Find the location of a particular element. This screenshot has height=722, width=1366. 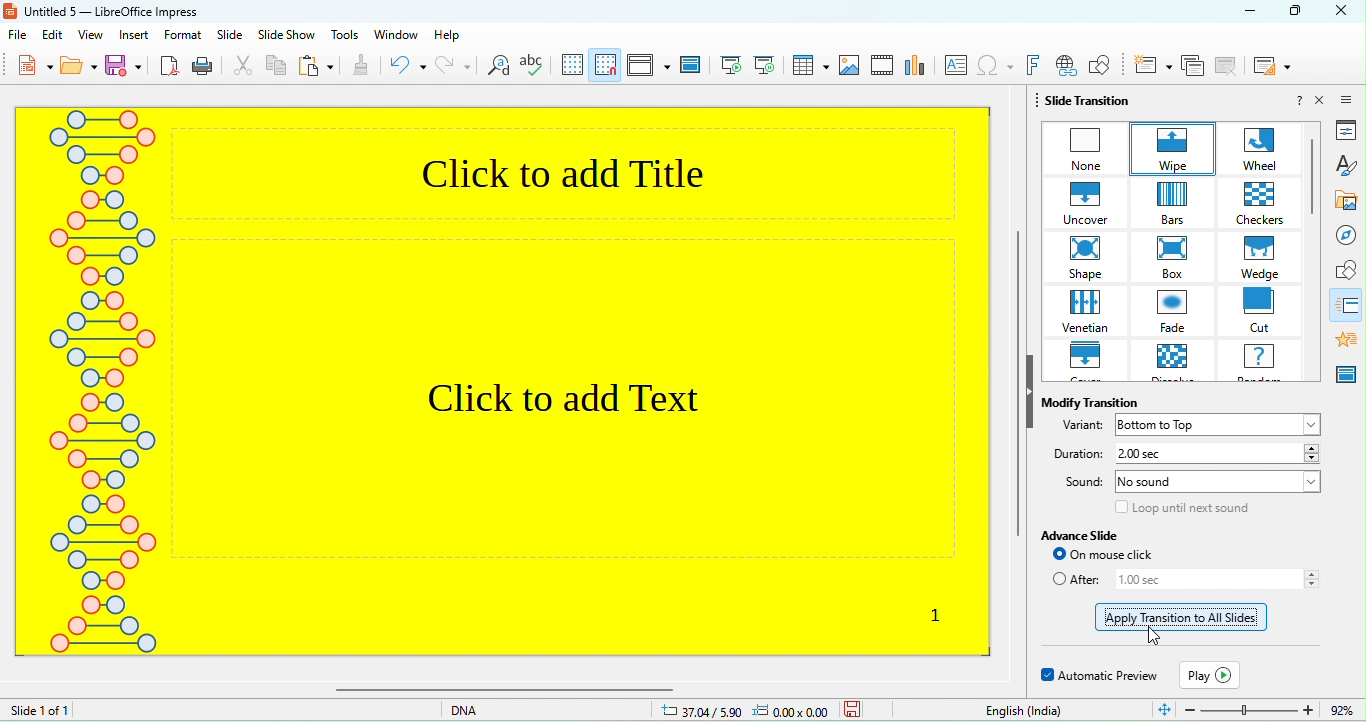

sound is located at coordinates (1080, 484).